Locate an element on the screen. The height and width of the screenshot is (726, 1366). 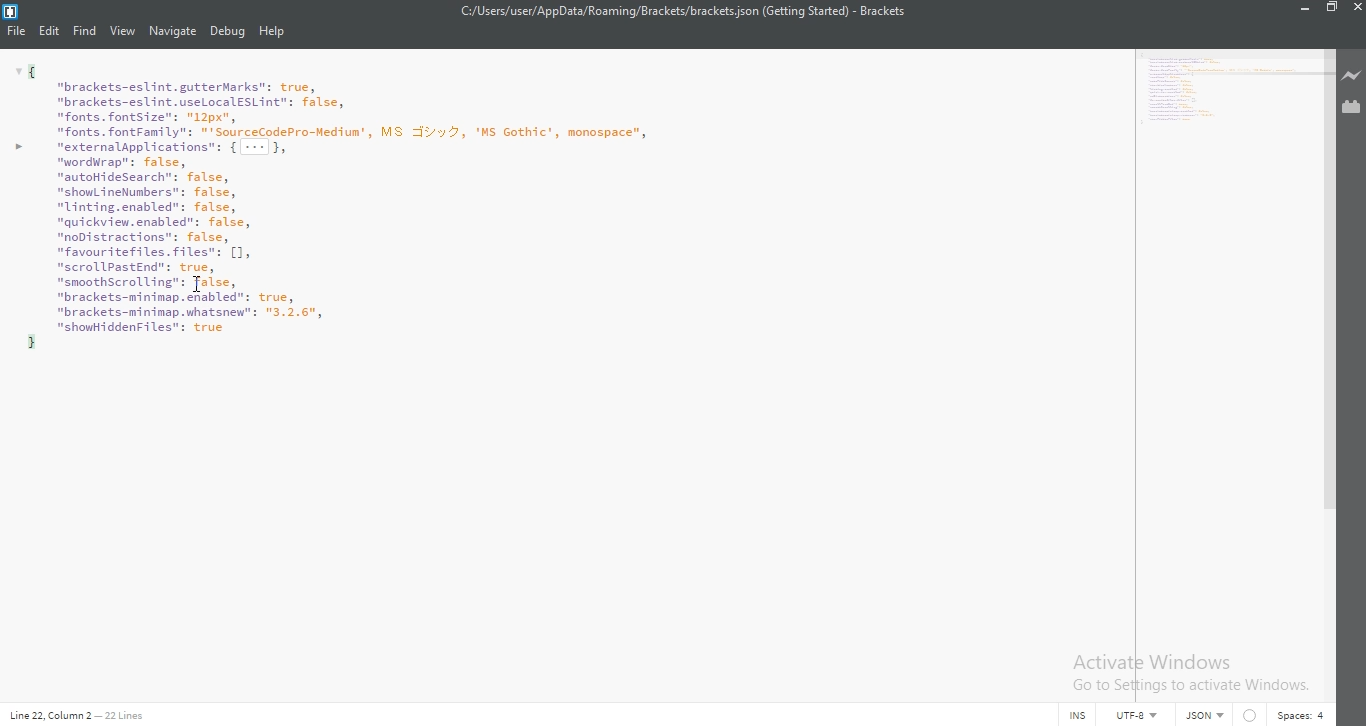
Close is located at coordinates (1357, 8).